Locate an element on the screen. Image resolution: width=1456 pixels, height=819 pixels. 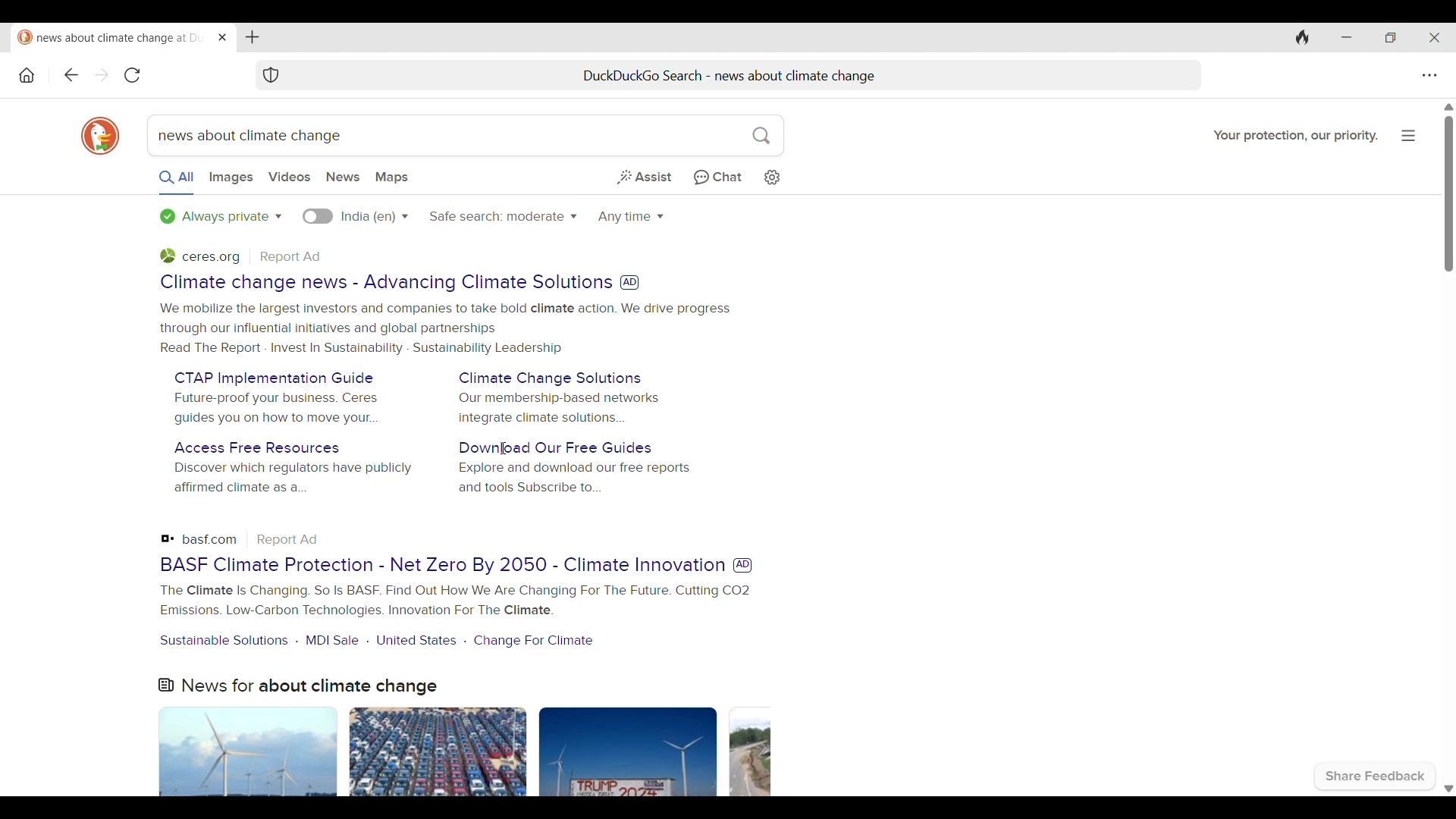
Refresh page is located at coordinates (133, 76).